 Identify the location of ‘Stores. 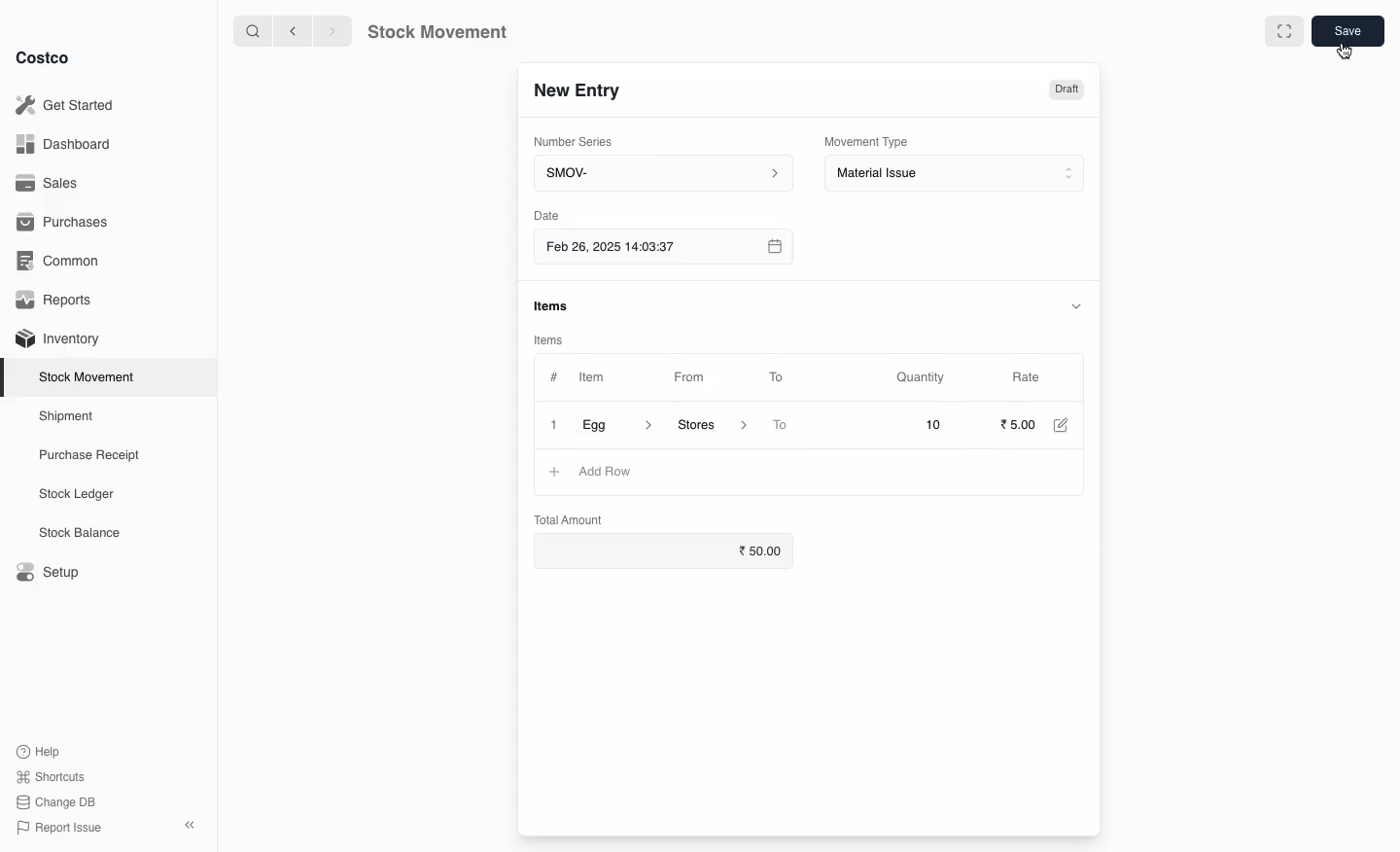
(710, 423).